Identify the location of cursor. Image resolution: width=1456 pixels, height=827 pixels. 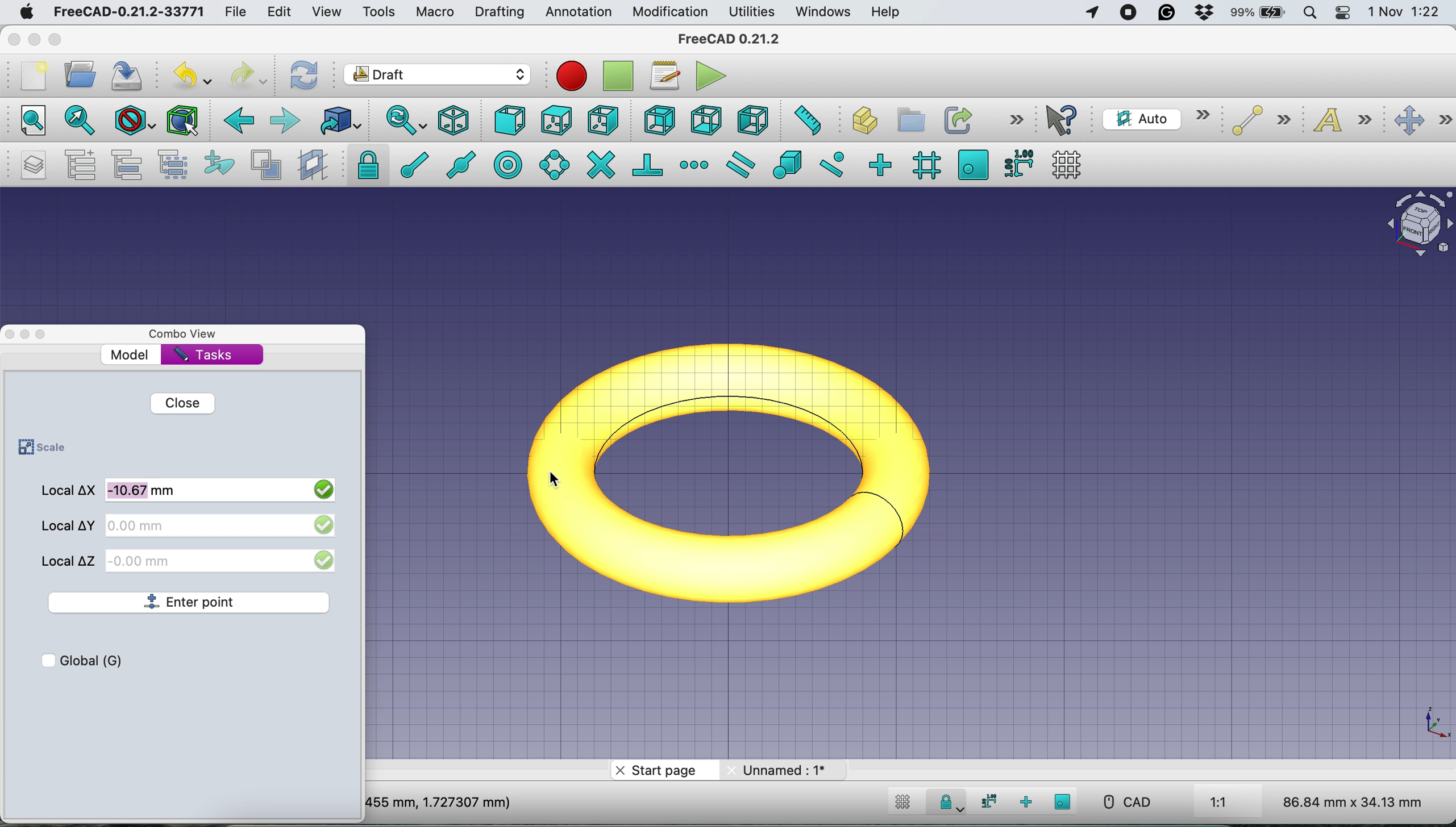
(558, 479).